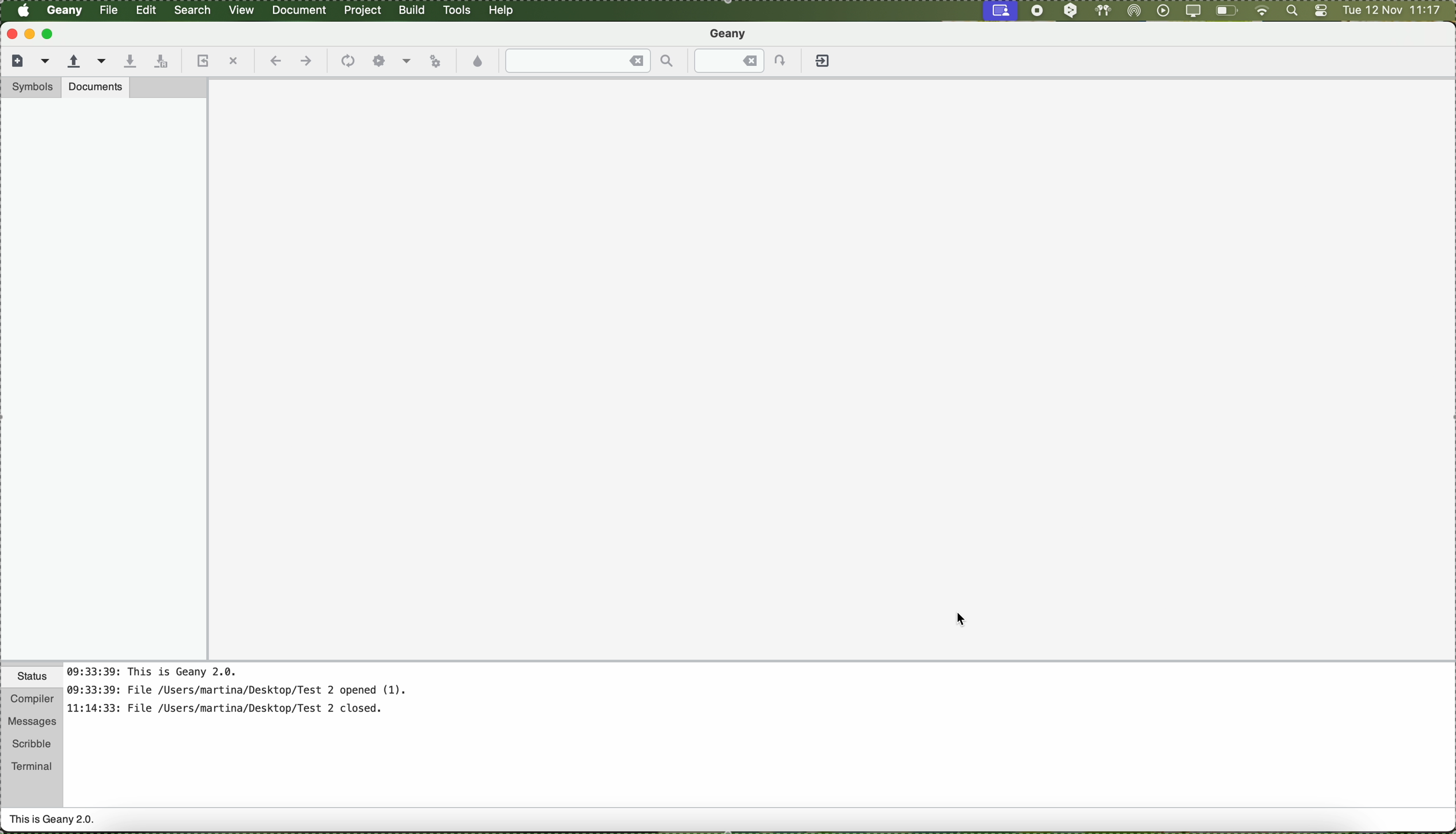 This screenshot has width=1456, height=834. I want to click on jump to the entered line number, so click(747, 61).